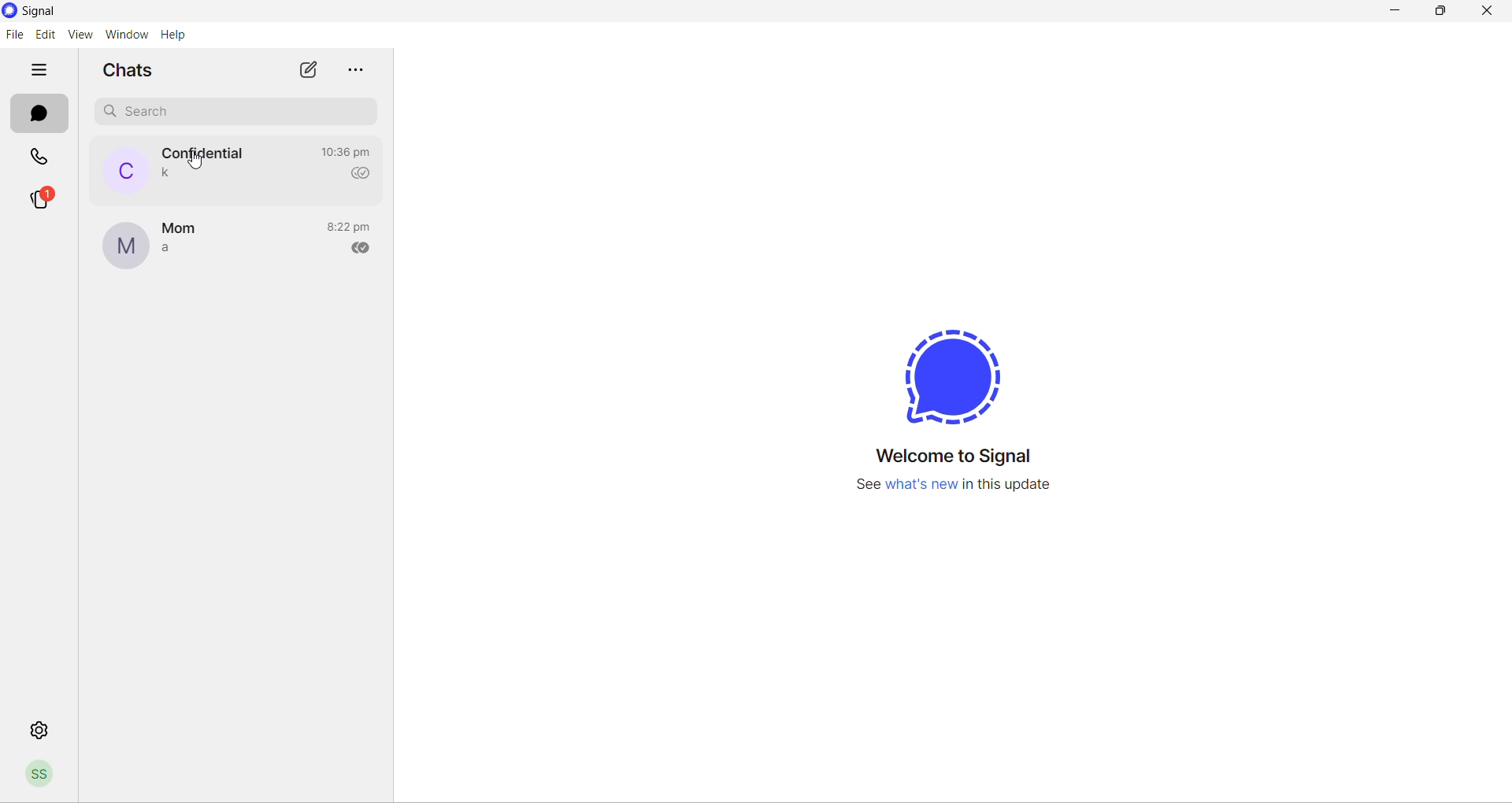  Describe the element at coordinates (362, 246) in the screenshot. I see `read recipient` at that location.